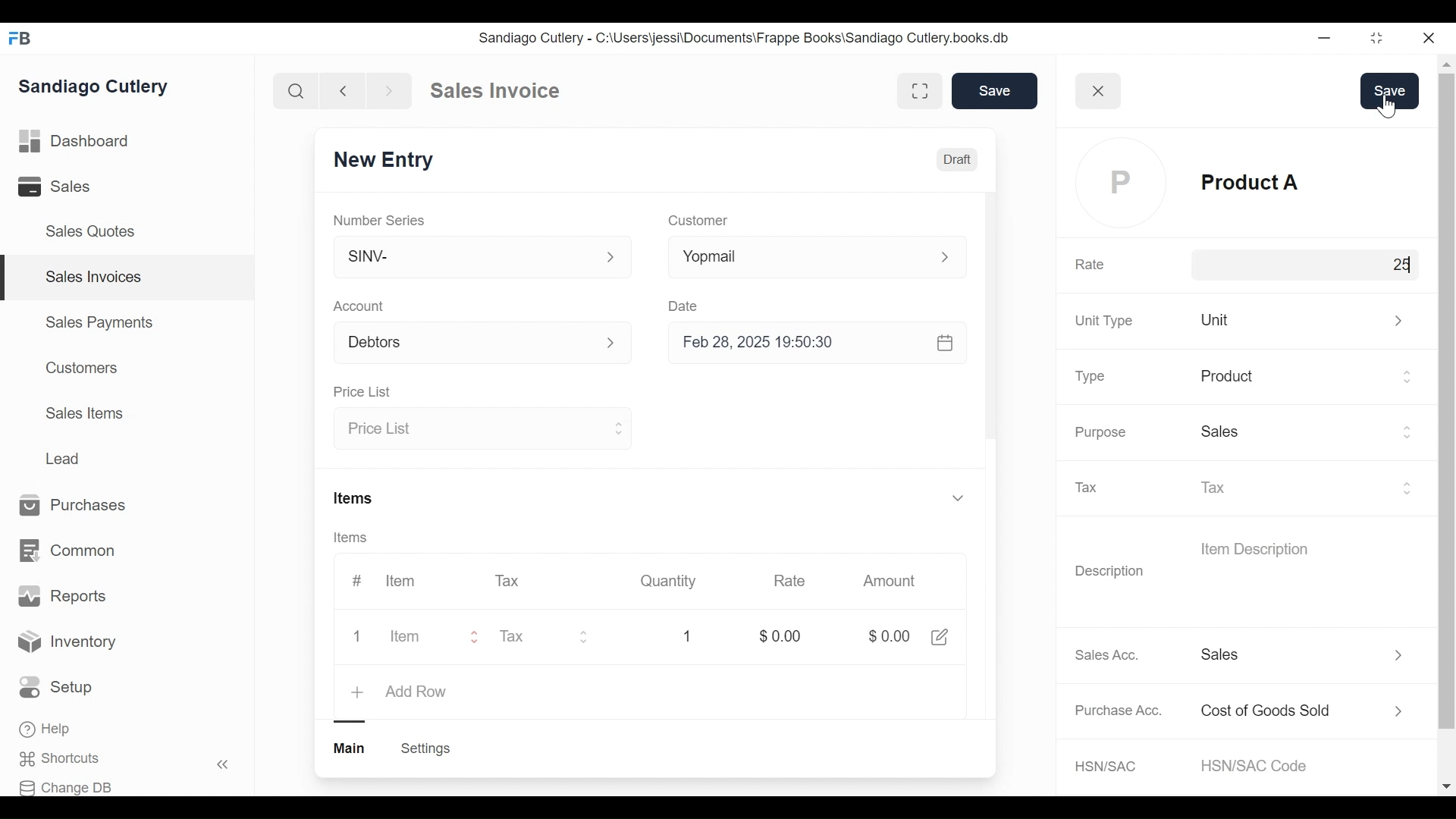  Describe the element at coordinates (919, 90) in the screenshot. I see `fullscreen` at that location.